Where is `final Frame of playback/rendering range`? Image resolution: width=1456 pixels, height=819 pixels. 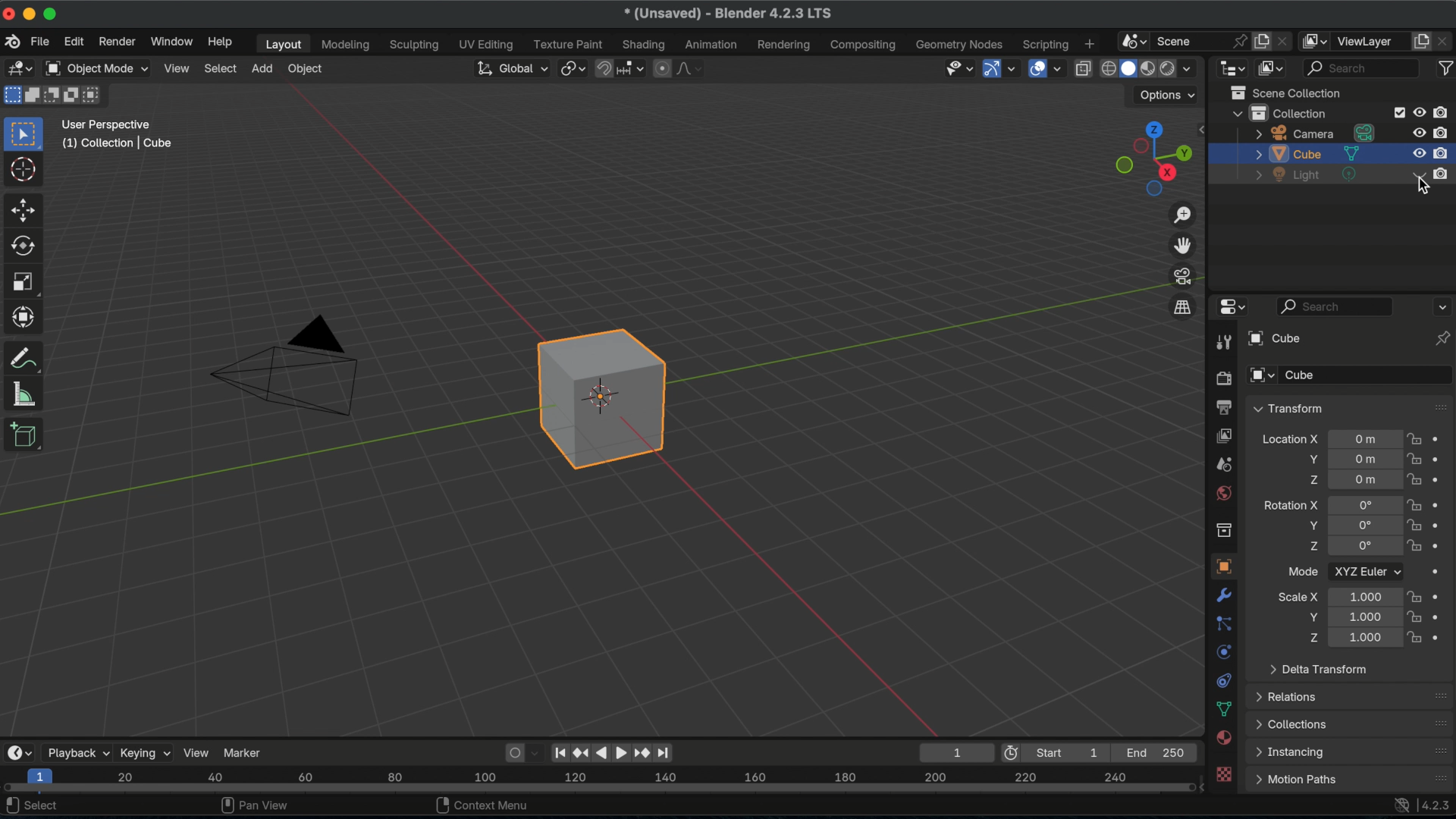 final Frame of playback/rendering range is located at coordinates (1158, 752).